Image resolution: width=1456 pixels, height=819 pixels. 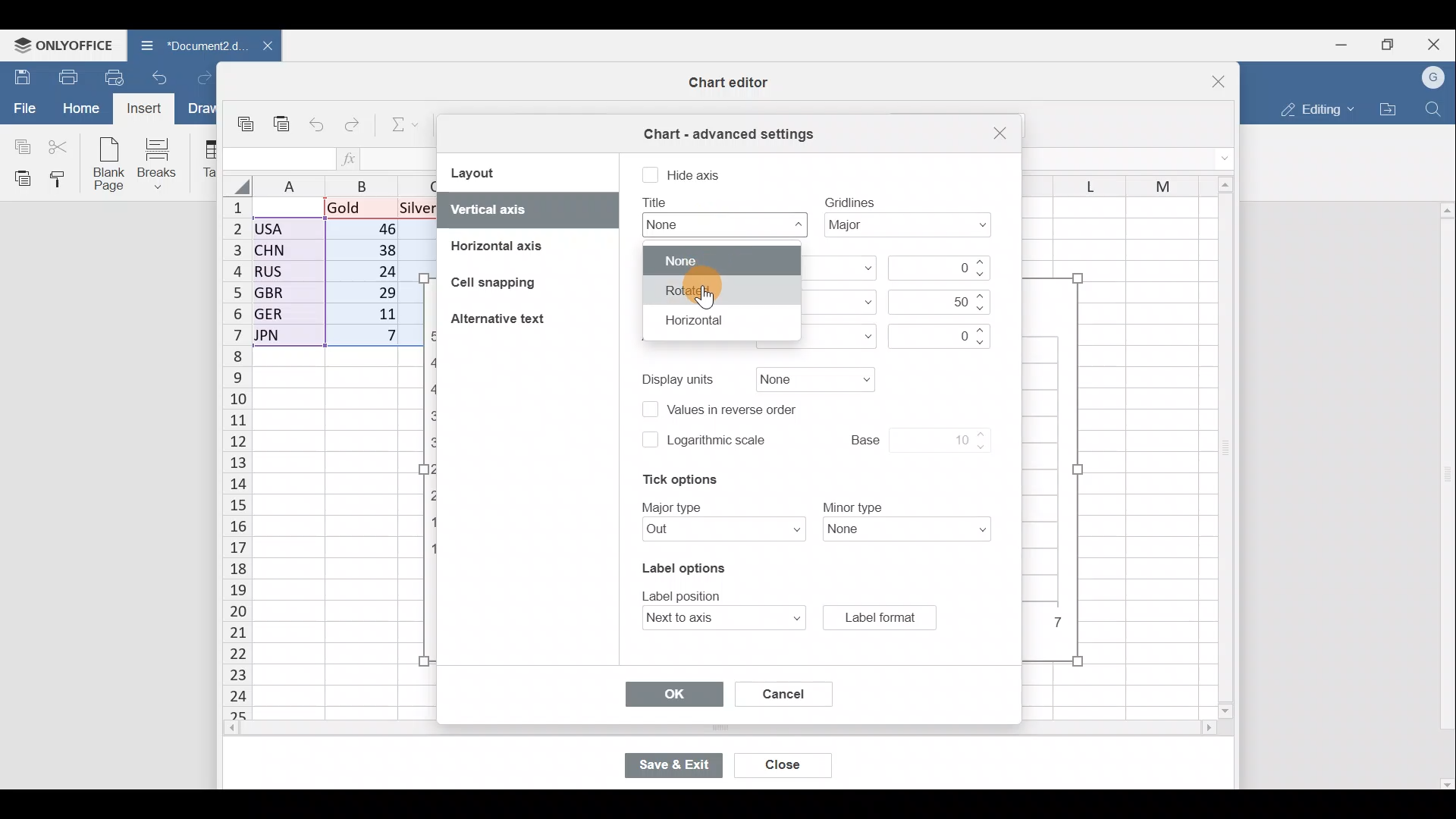 I want to click on Undo, so click(x=318, y=121).